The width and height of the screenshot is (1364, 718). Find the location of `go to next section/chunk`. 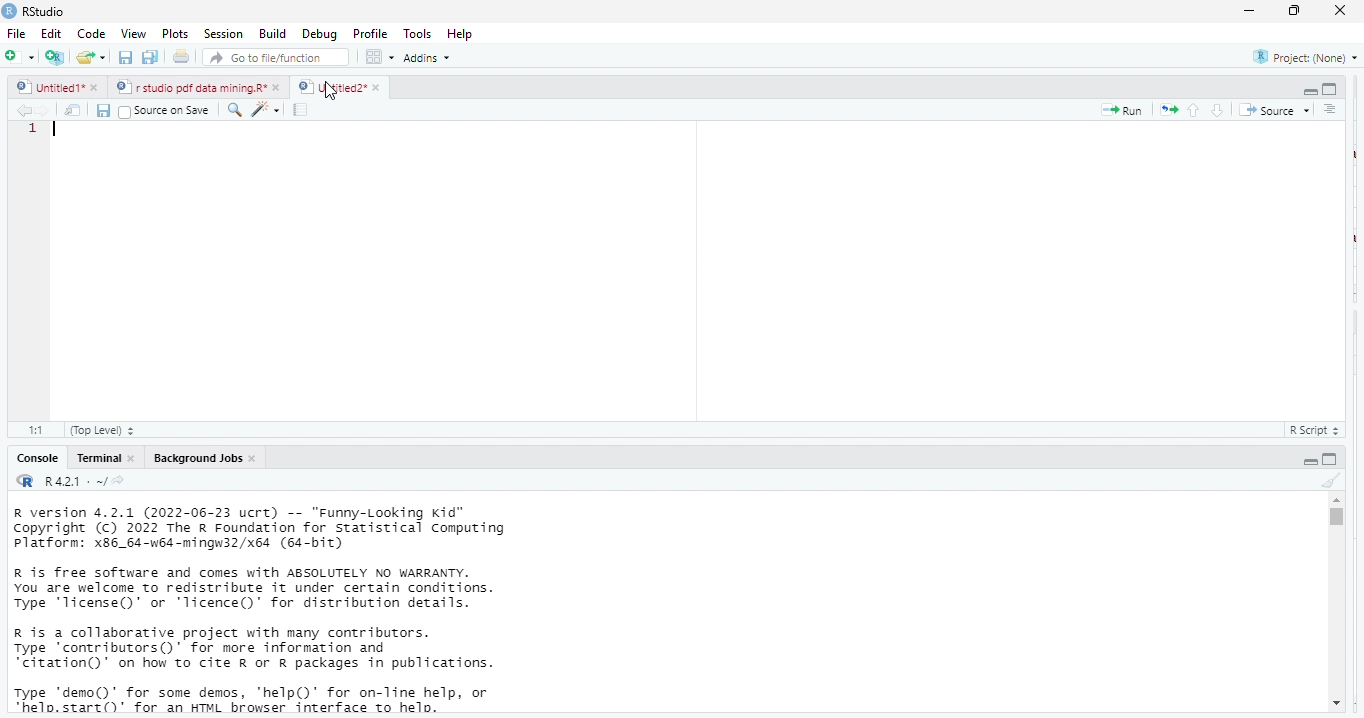

go to next section/chunk is located at coordinates (1219, 110).